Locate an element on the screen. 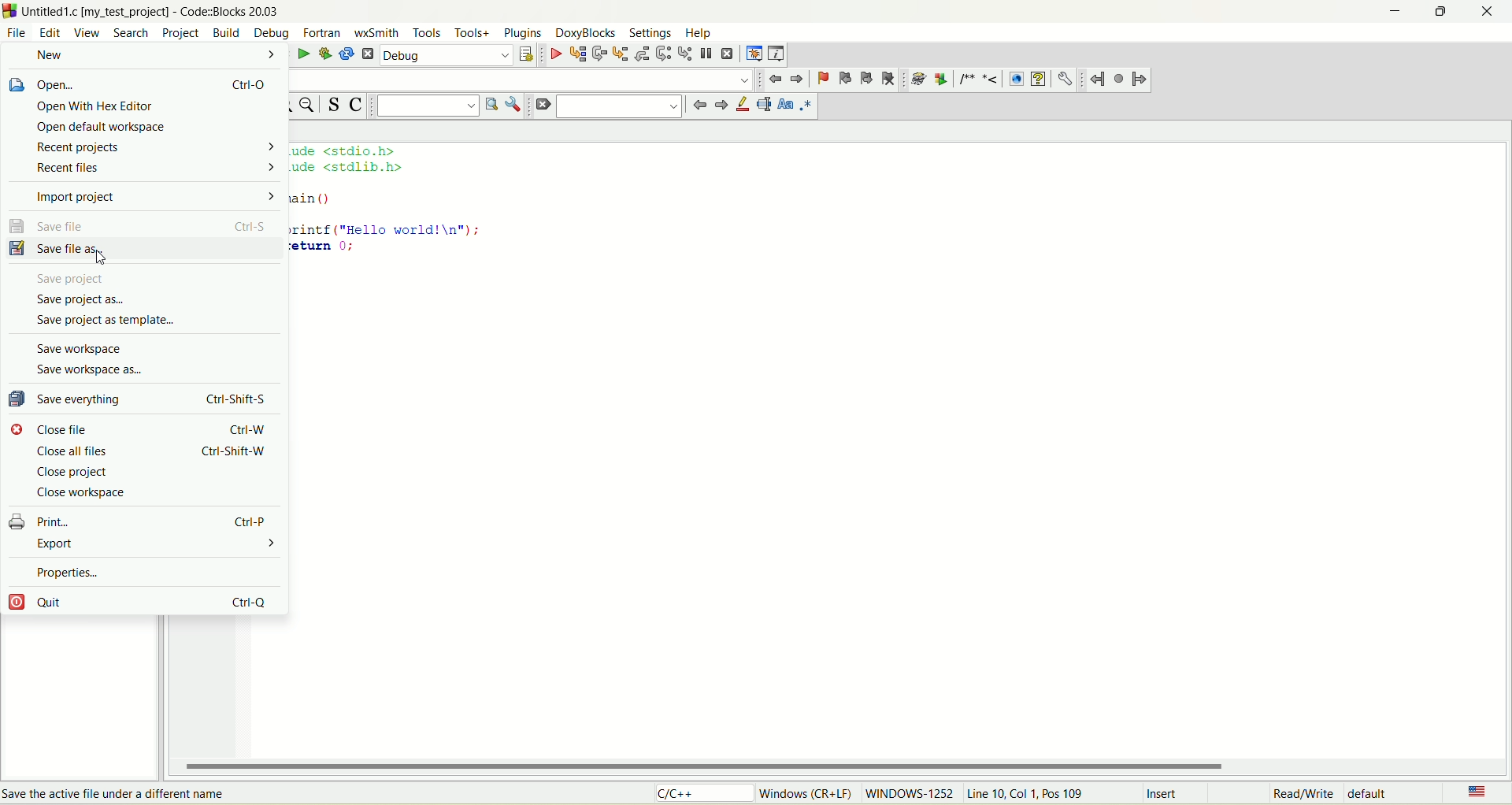 Image resolution: width=1512 pixels, height=805 pixels. minimize is located at coordinates (1392, 14).